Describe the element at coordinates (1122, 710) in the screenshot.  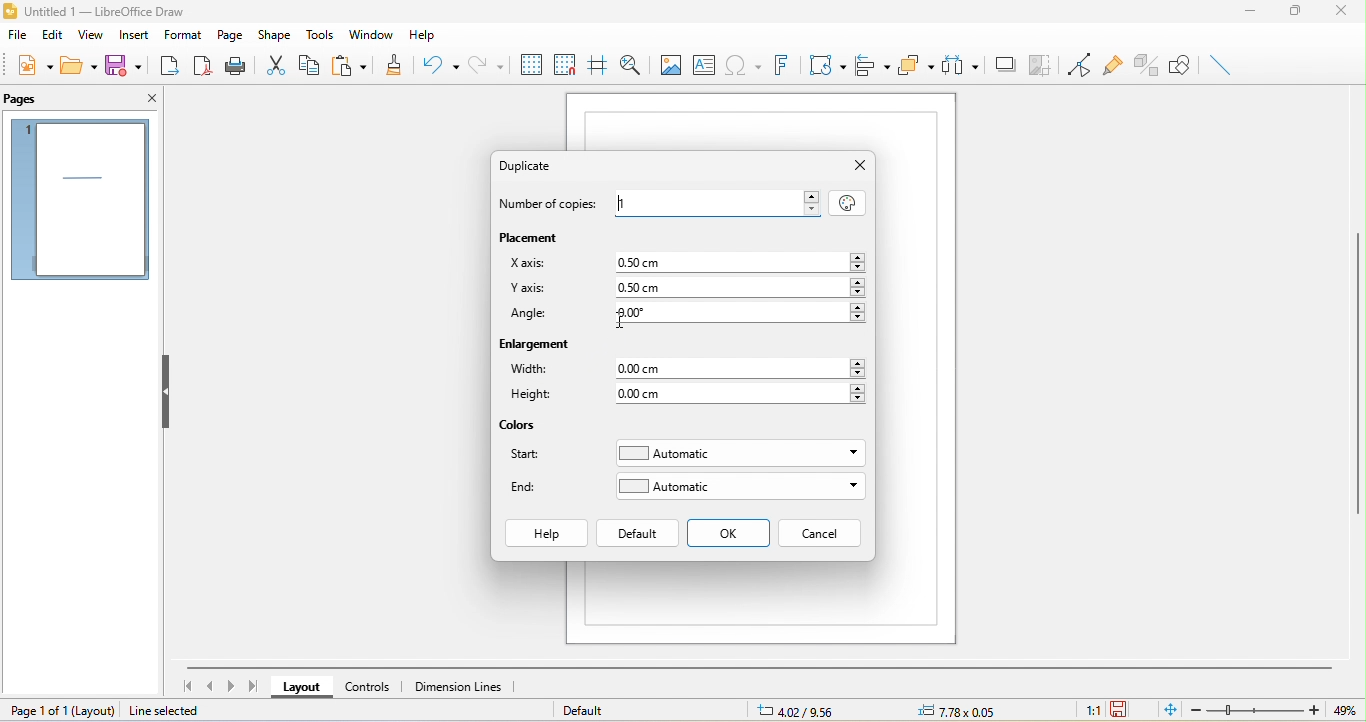
I see `the document has not been modified since the last save` at that location.